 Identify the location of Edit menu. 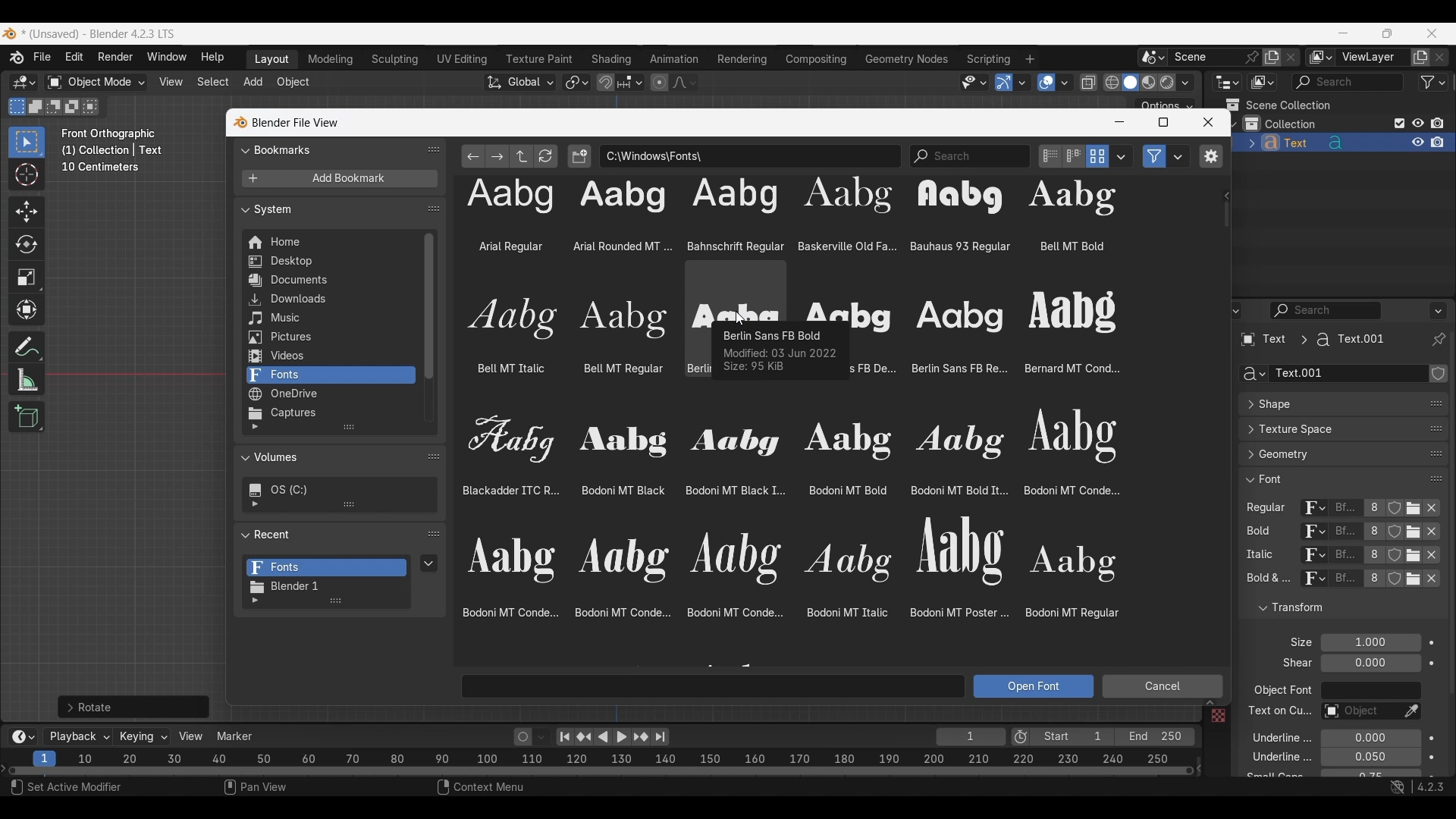
(74, 58).